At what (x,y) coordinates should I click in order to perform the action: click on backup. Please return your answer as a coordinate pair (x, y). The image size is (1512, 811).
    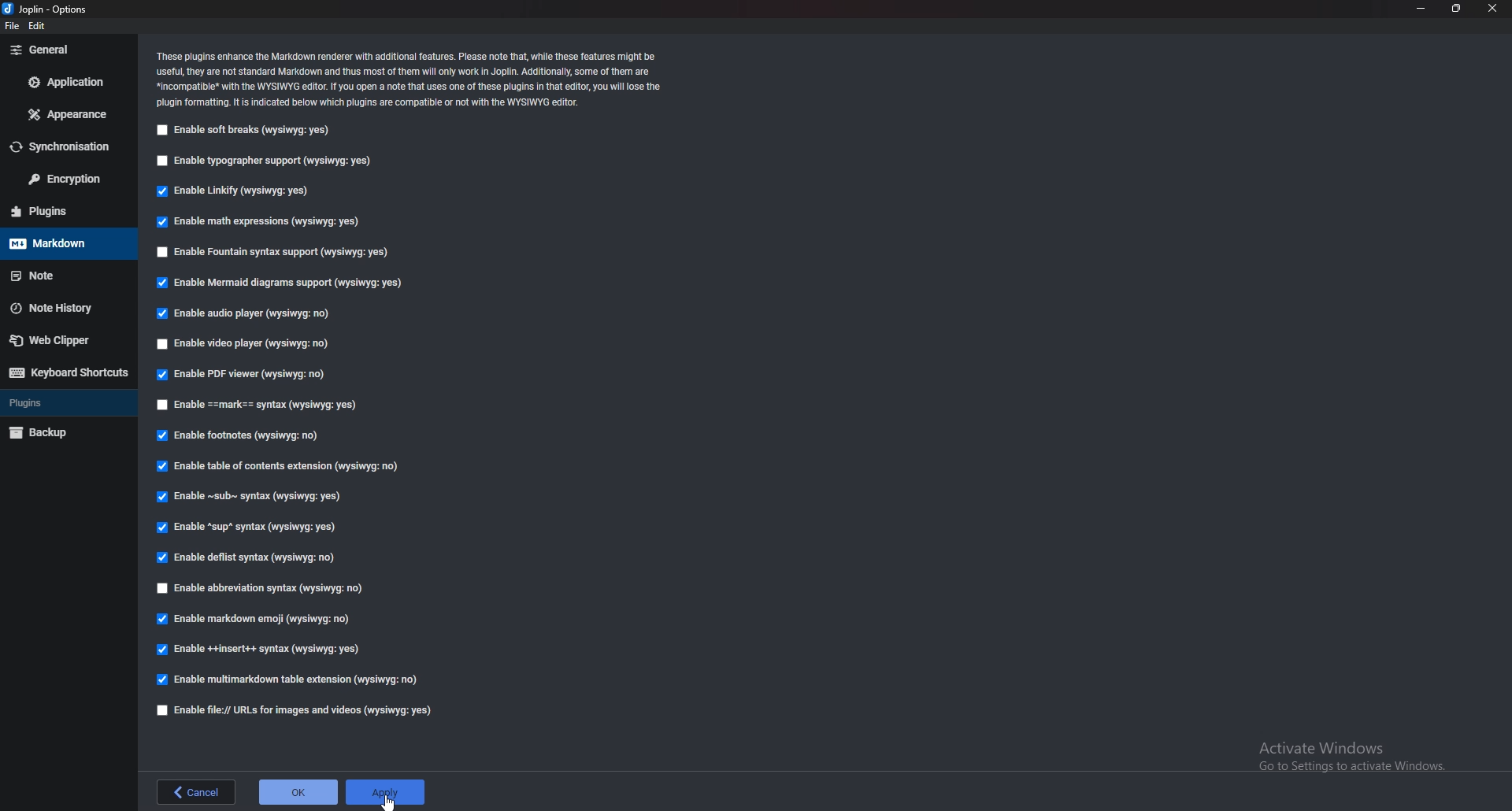
    Looking at the image, I should click on (62, 433).